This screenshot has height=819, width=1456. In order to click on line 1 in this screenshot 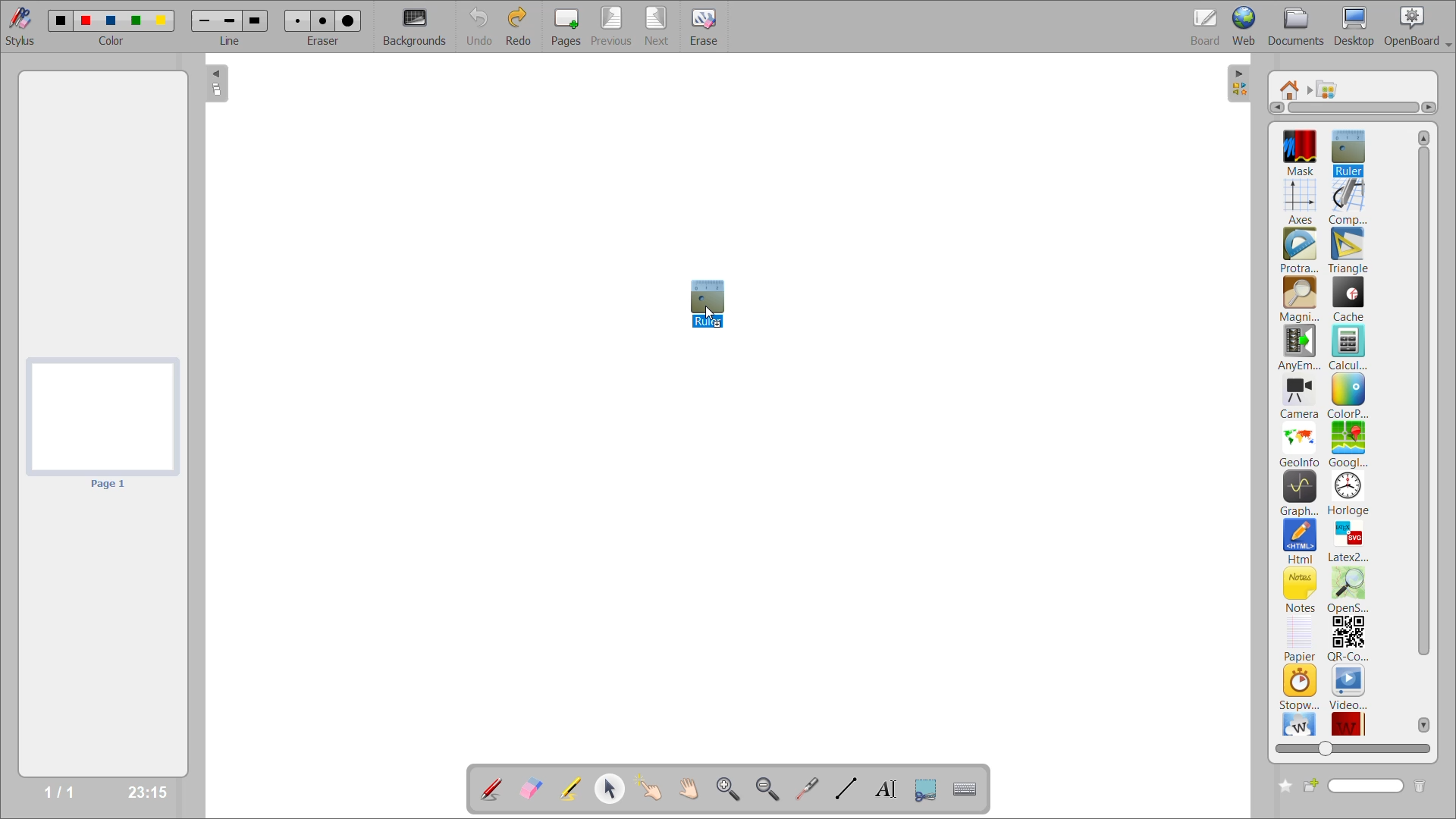, I will do `click(206, 22)`.